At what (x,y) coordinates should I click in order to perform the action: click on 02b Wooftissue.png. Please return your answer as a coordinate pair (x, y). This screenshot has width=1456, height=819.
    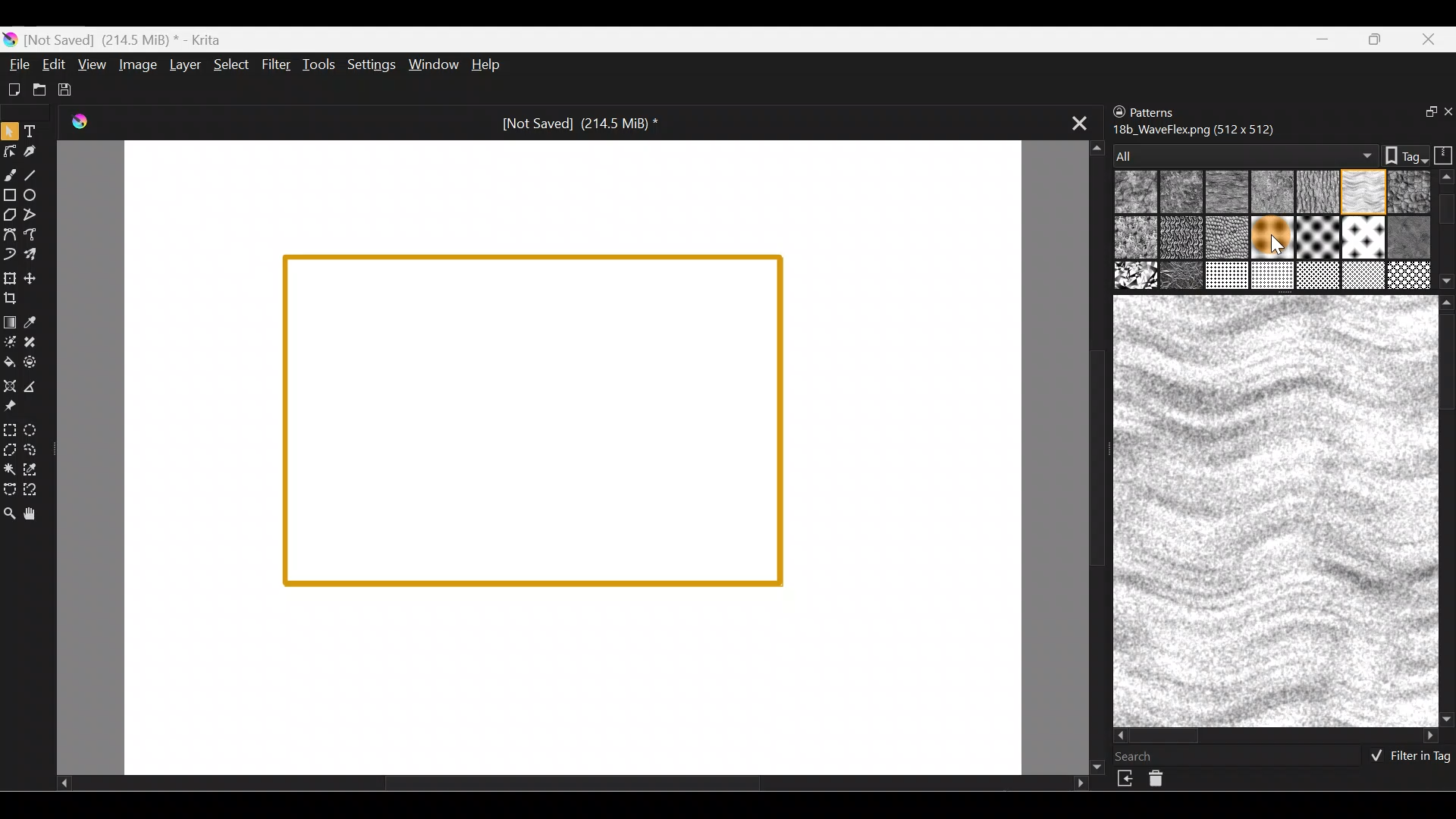
    Looking at the image, I should click on (1223, 193).